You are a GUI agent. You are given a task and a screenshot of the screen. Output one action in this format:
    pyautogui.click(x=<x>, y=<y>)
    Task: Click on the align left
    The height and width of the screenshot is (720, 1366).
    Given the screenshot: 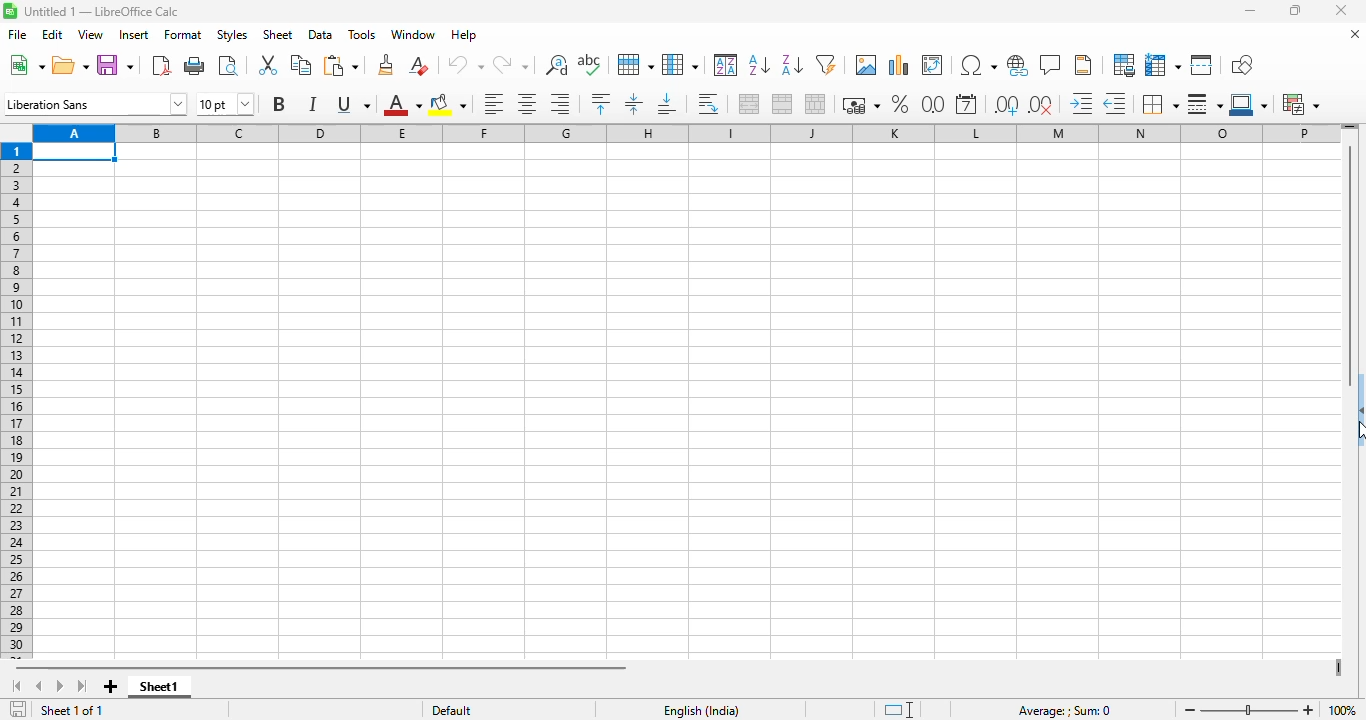 What is the action you would take?
    pyautogui.click(x=494, y=103)
    